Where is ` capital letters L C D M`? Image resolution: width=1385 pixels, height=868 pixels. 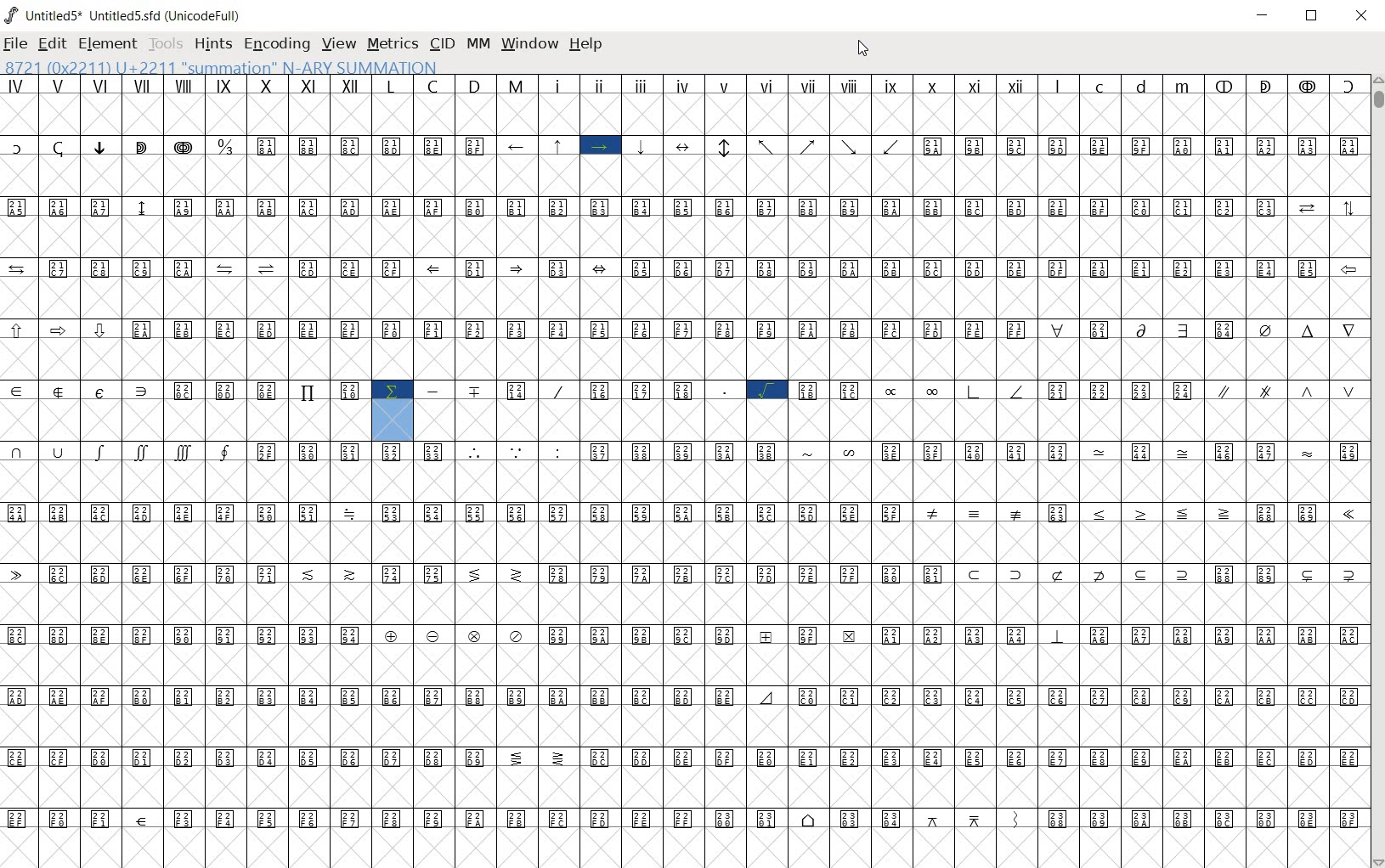
 capital letters L C D M is located at coordinates (460, 84).